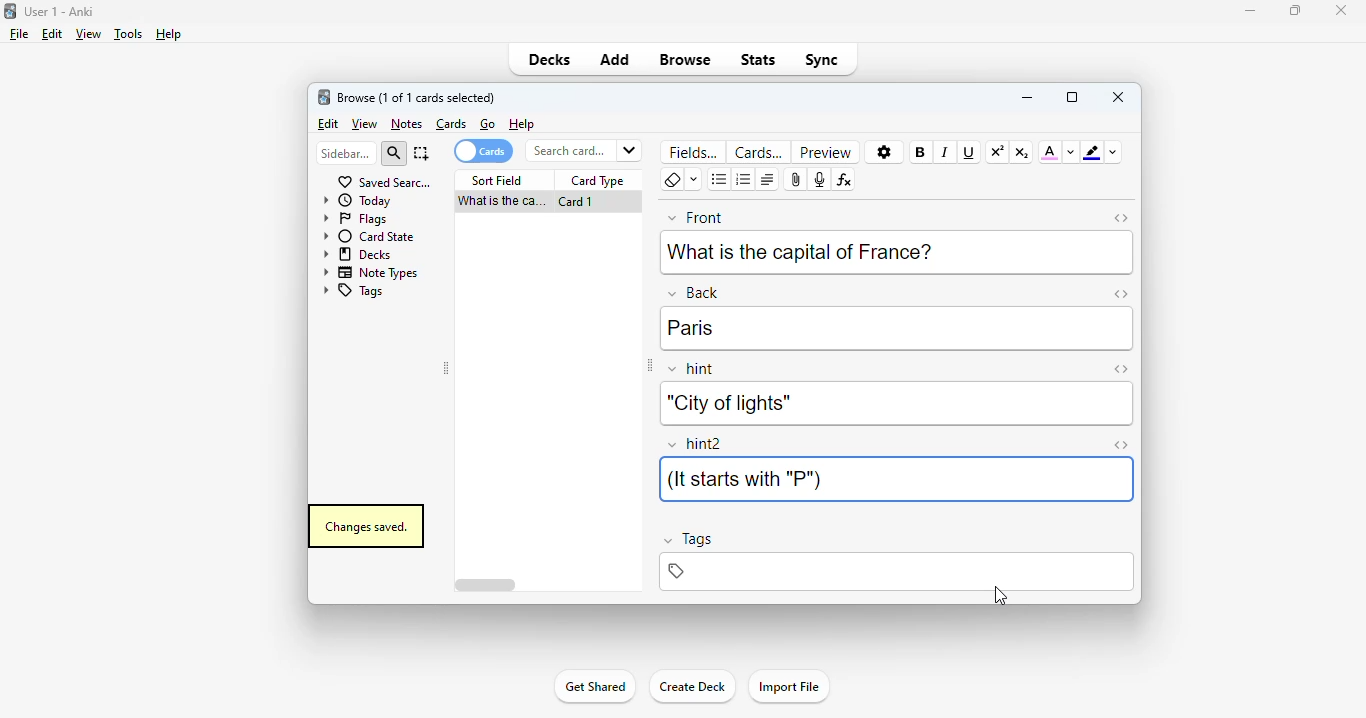 The image size is (1366, 718). What do you see at coordinates (1072, 97) in the screenshot?
I see `maximize` at bounding box center [1072, 97].